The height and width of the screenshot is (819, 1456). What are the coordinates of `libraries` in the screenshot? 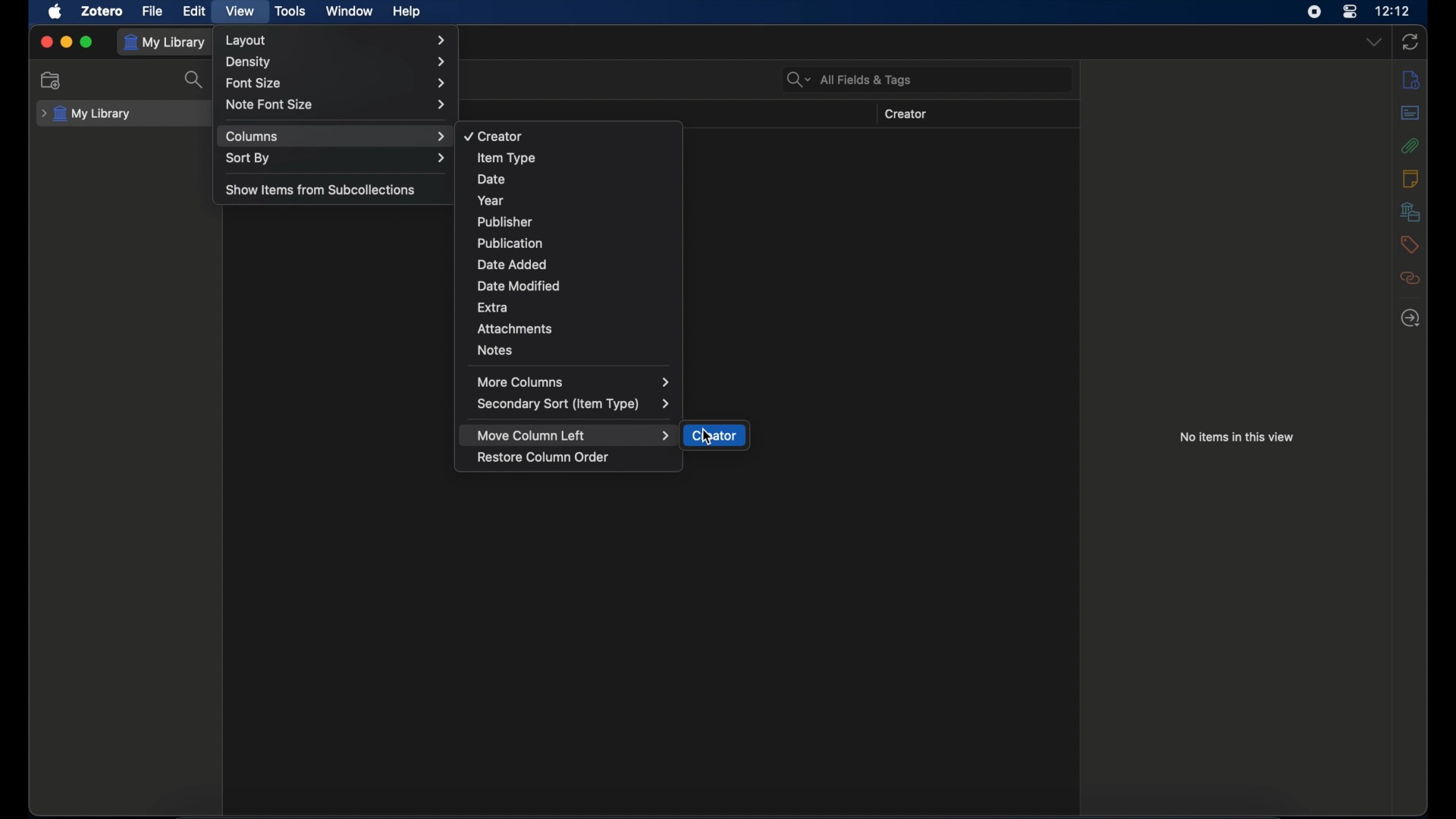 It's located at (1411, 212).